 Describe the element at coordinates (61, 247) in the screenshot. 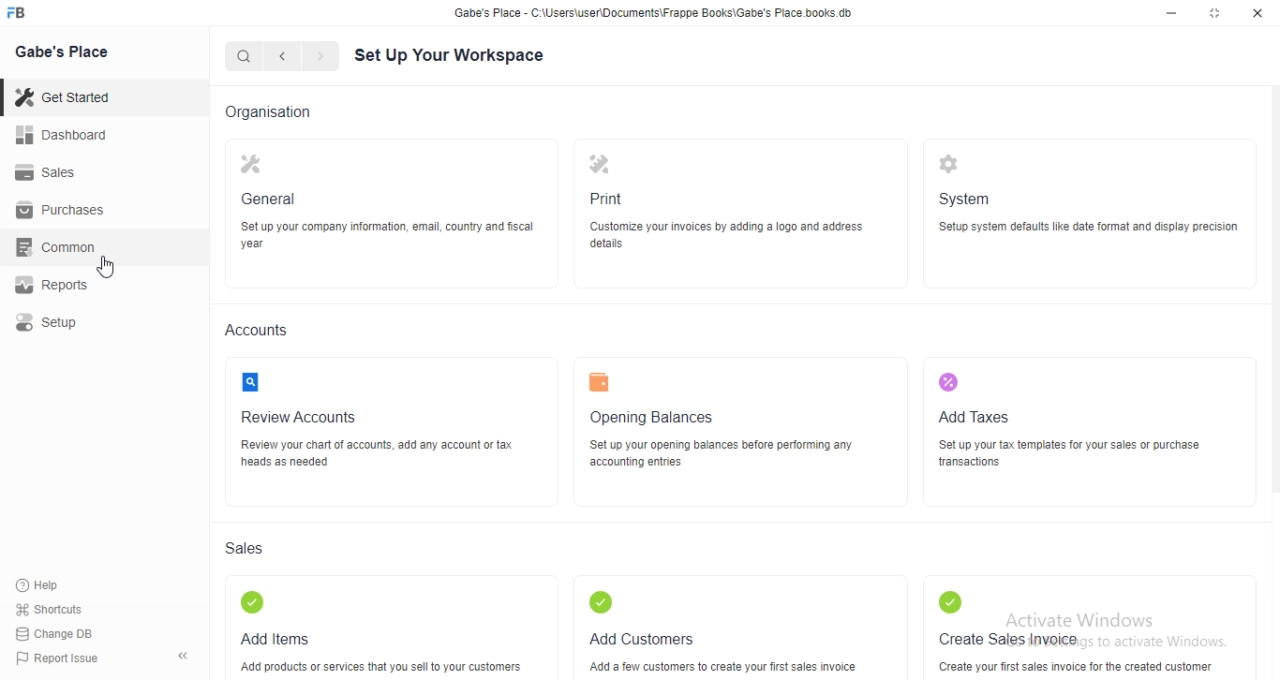

I see `Common` at that location.